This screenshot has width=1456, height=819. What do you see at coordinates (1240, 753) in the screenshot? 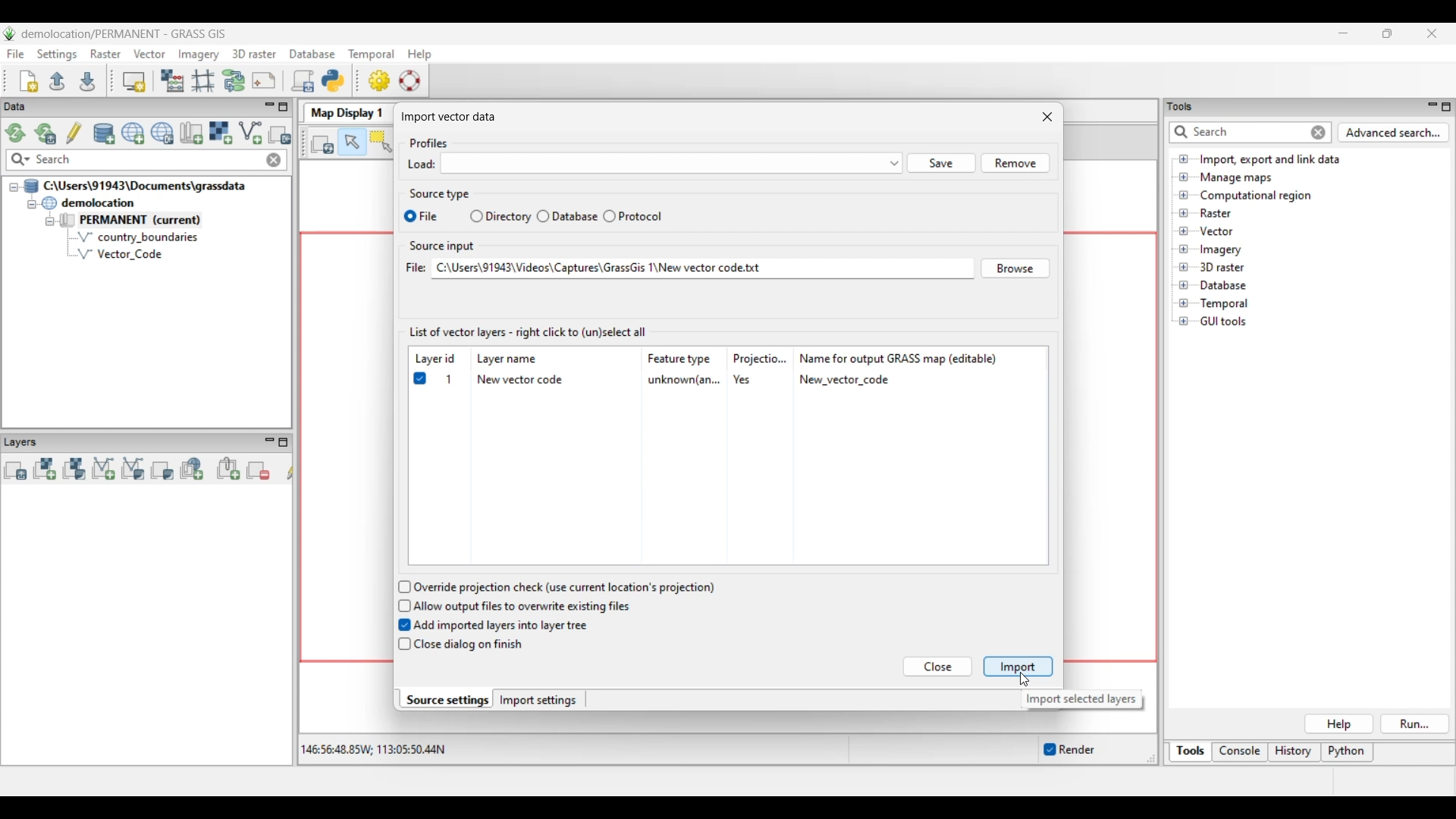
I see `Console` at bounding box center [1240, 753].